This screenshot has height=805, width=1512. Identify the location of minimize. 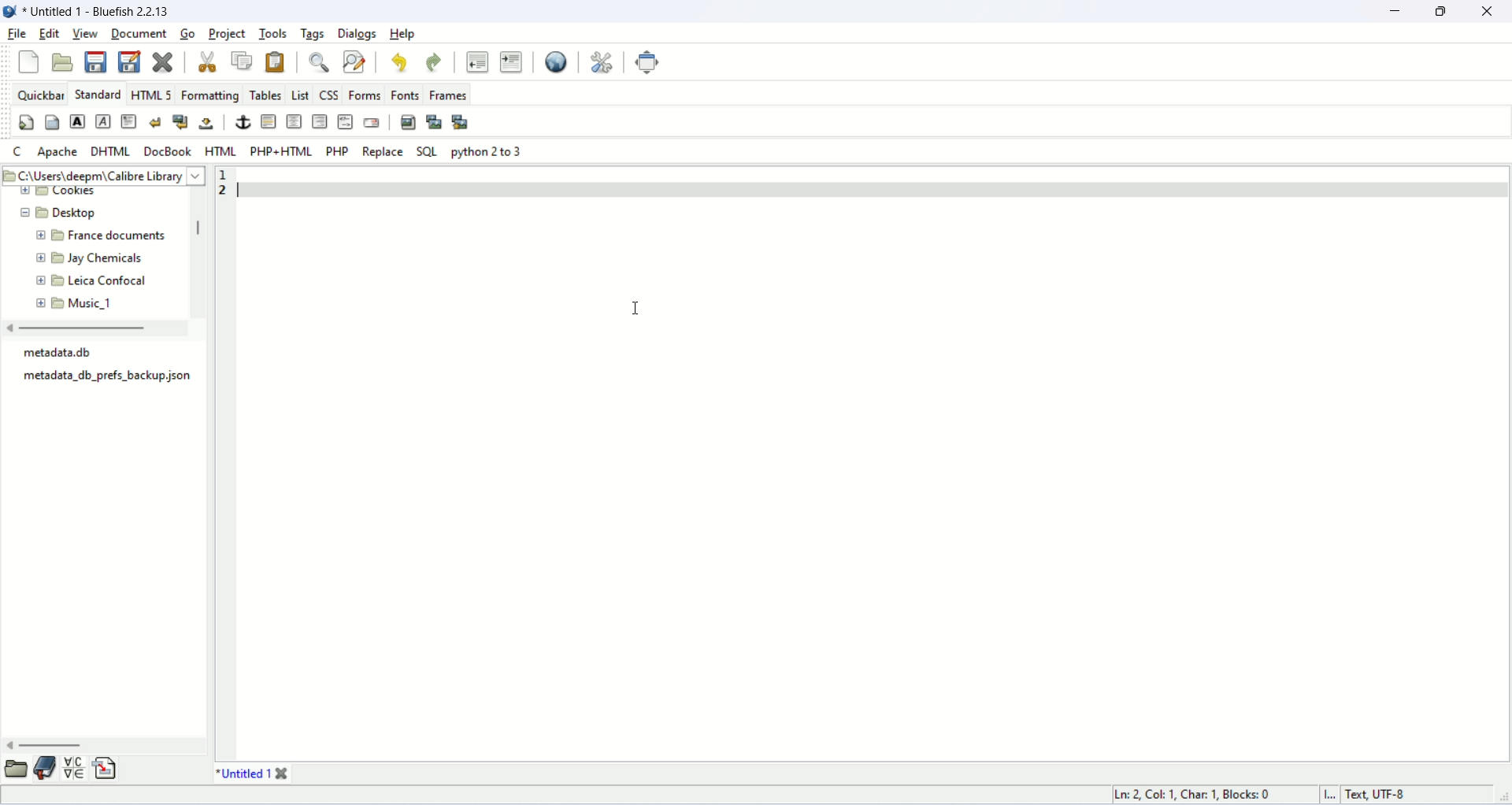
(1403, 12).